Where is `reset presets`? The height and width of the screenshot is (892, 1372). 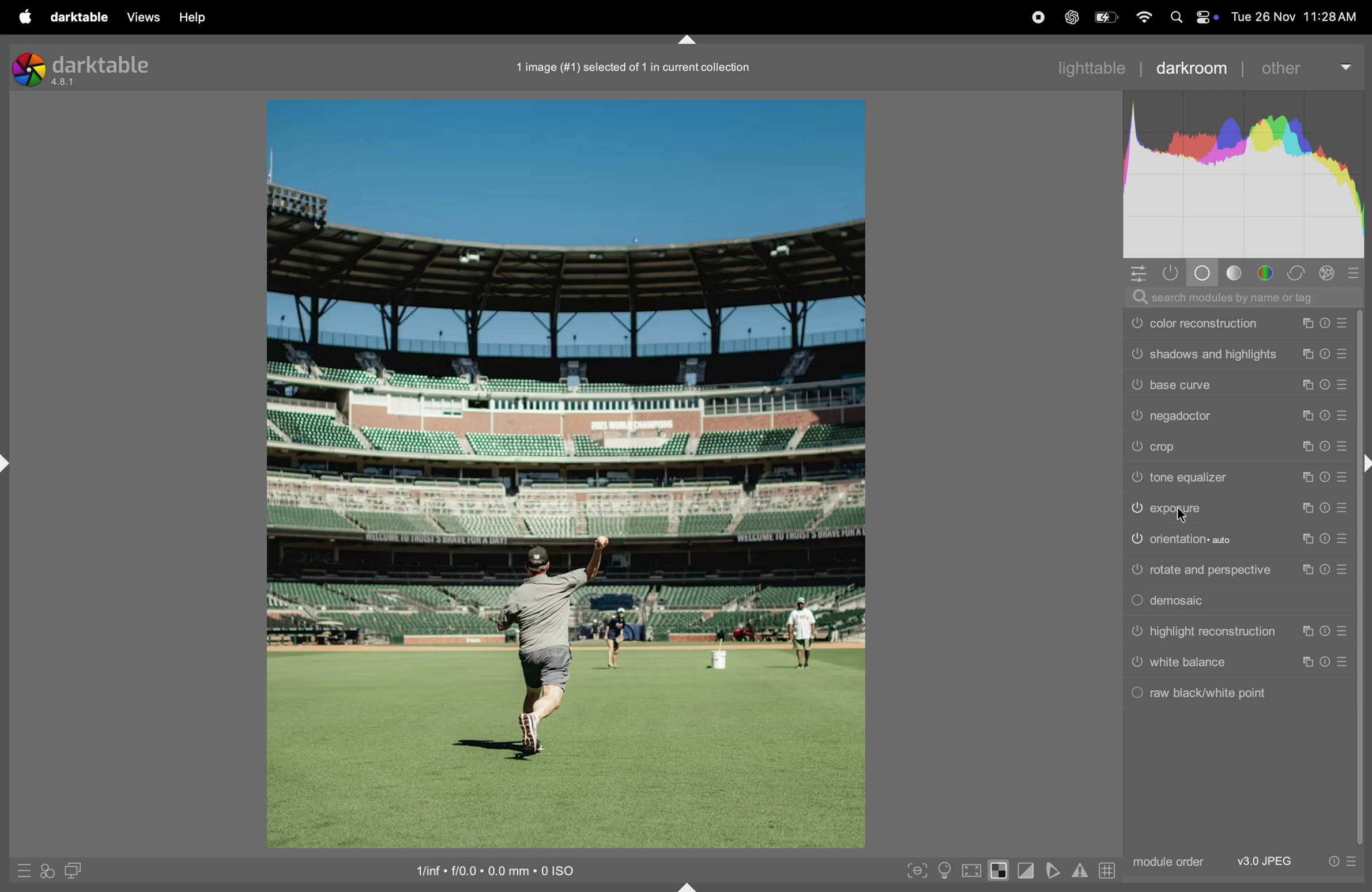
reset presets is located at coordinates (1322, 477).